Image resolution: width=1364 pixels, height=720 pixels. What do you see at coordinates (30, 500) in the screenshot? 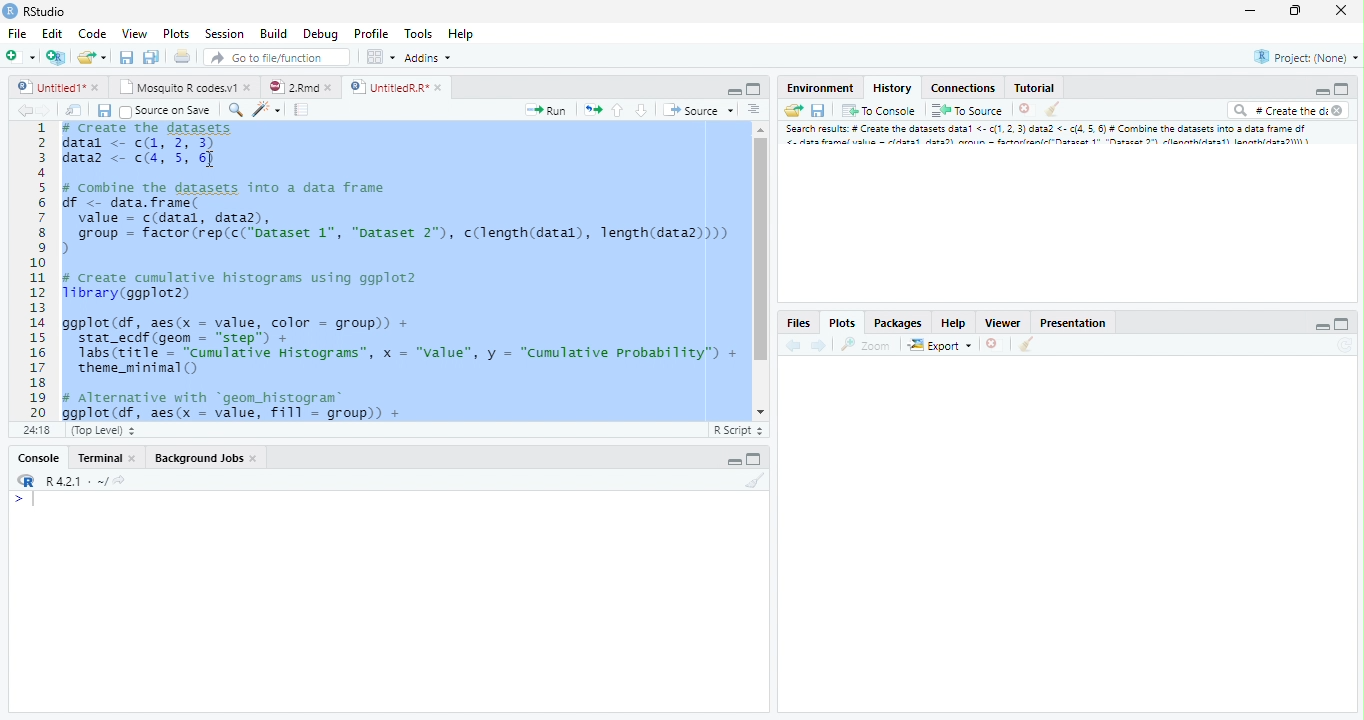
I see `Input cursor` at bounding box center [30, 500].